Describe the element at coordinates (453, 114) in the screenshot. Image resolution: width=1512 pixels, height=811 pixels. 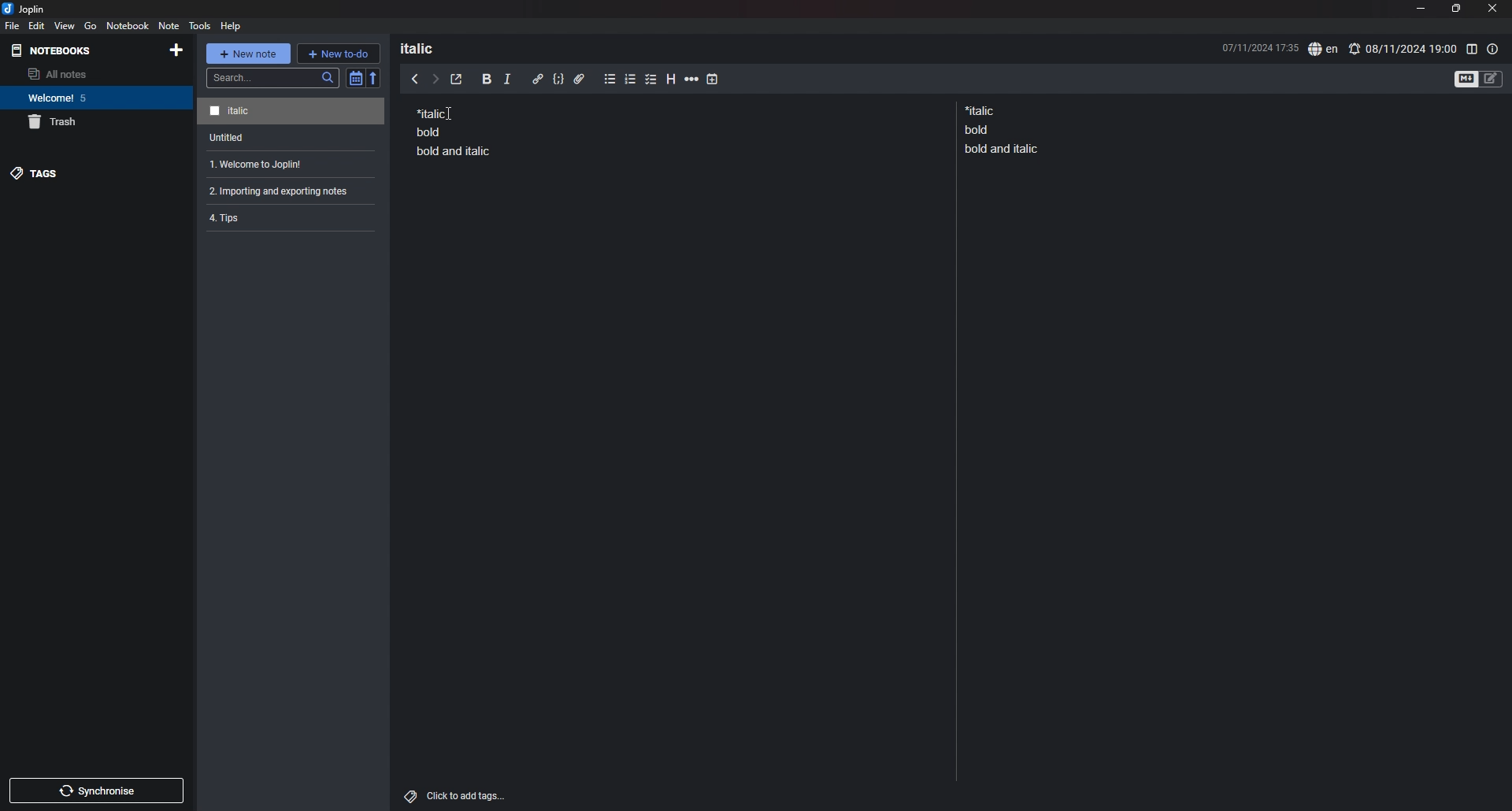
I see `Cursor` at that location.